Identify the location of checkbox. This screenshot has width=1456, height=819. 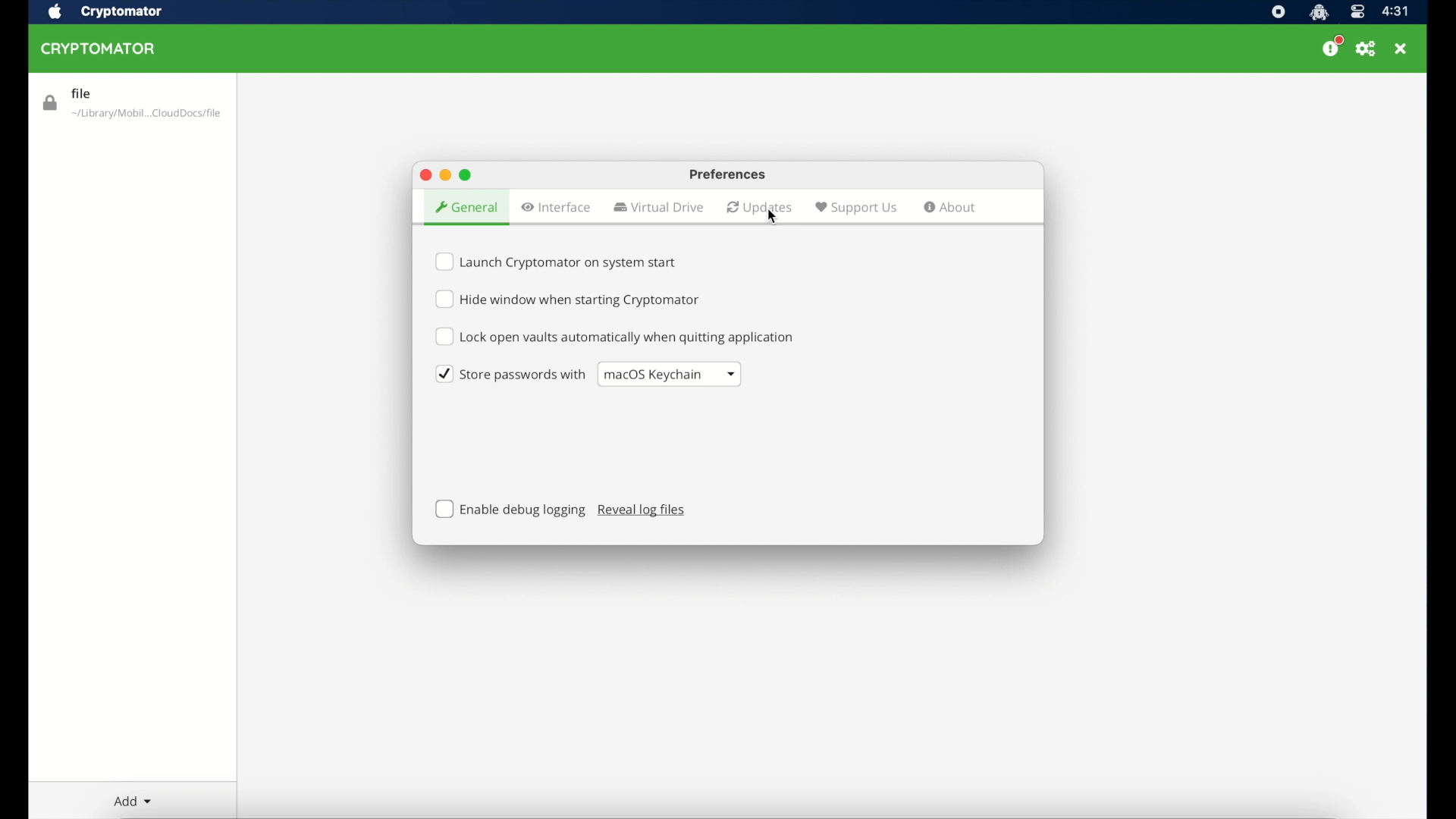
(556, 261).